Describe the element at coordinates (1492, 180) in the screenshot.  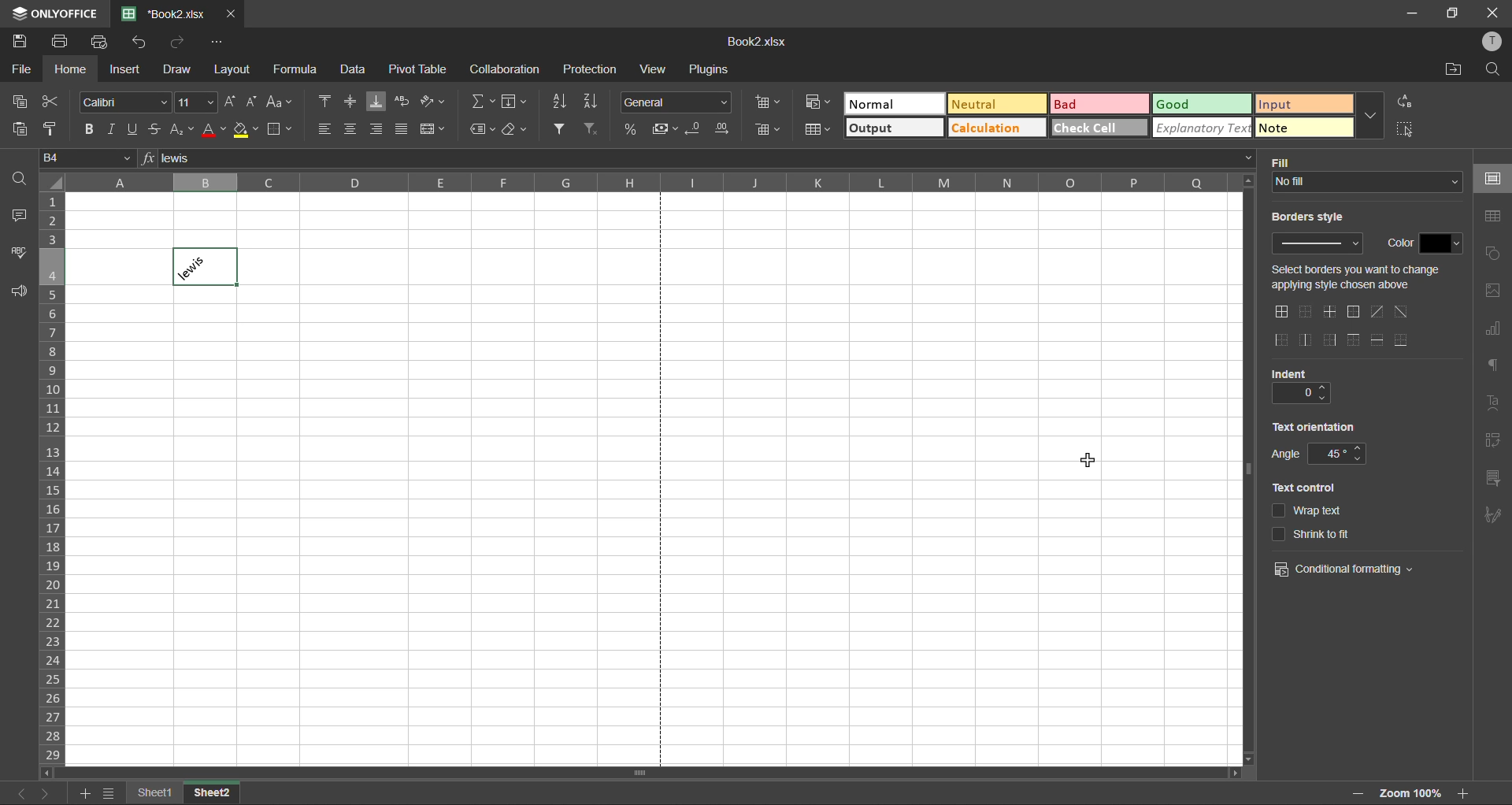
I see `cell settings` at that location.